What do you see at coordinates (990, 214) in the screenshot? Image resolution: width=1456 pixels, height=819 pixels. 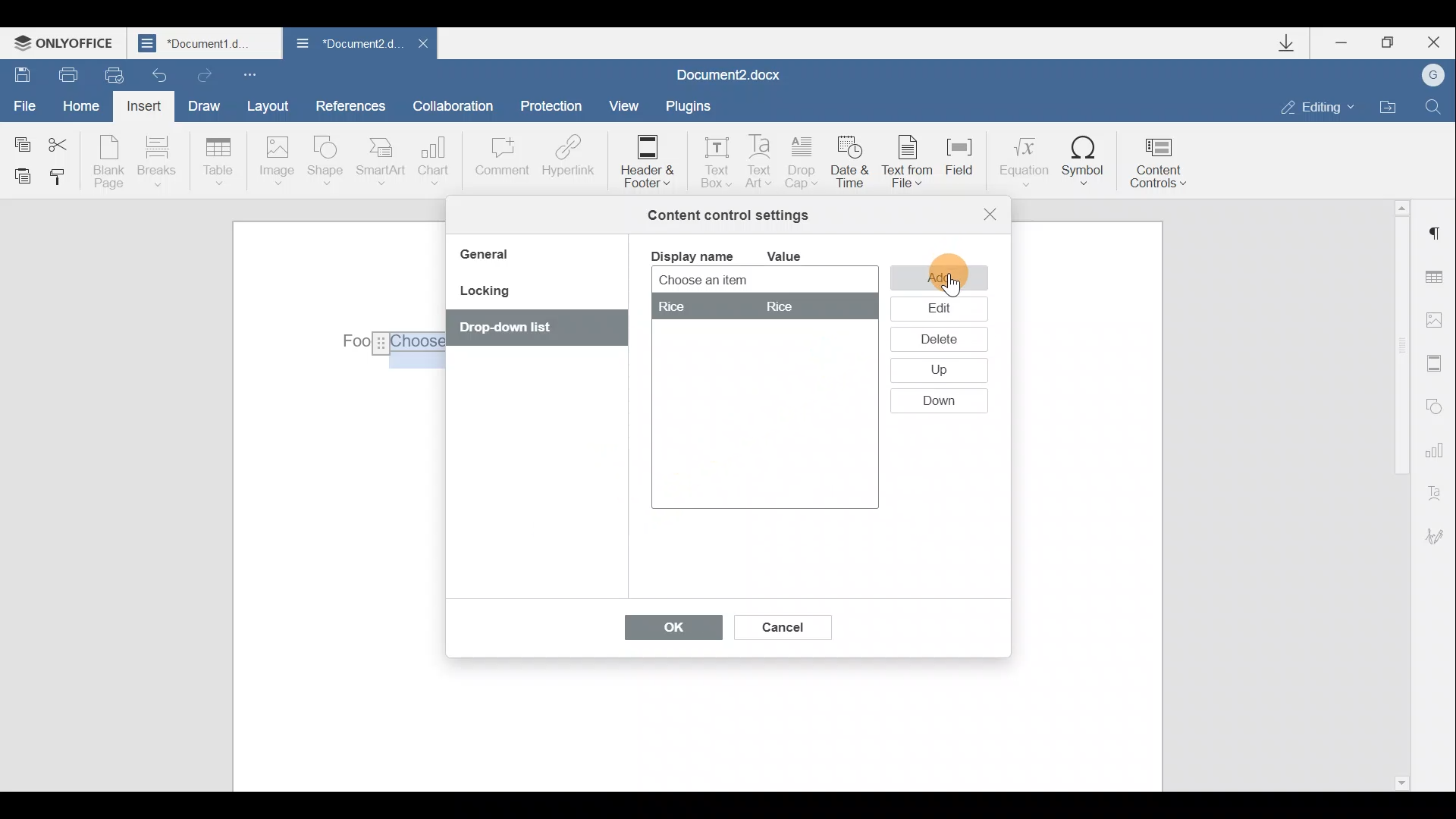 I see `Close` at bounding box center [990, 214].